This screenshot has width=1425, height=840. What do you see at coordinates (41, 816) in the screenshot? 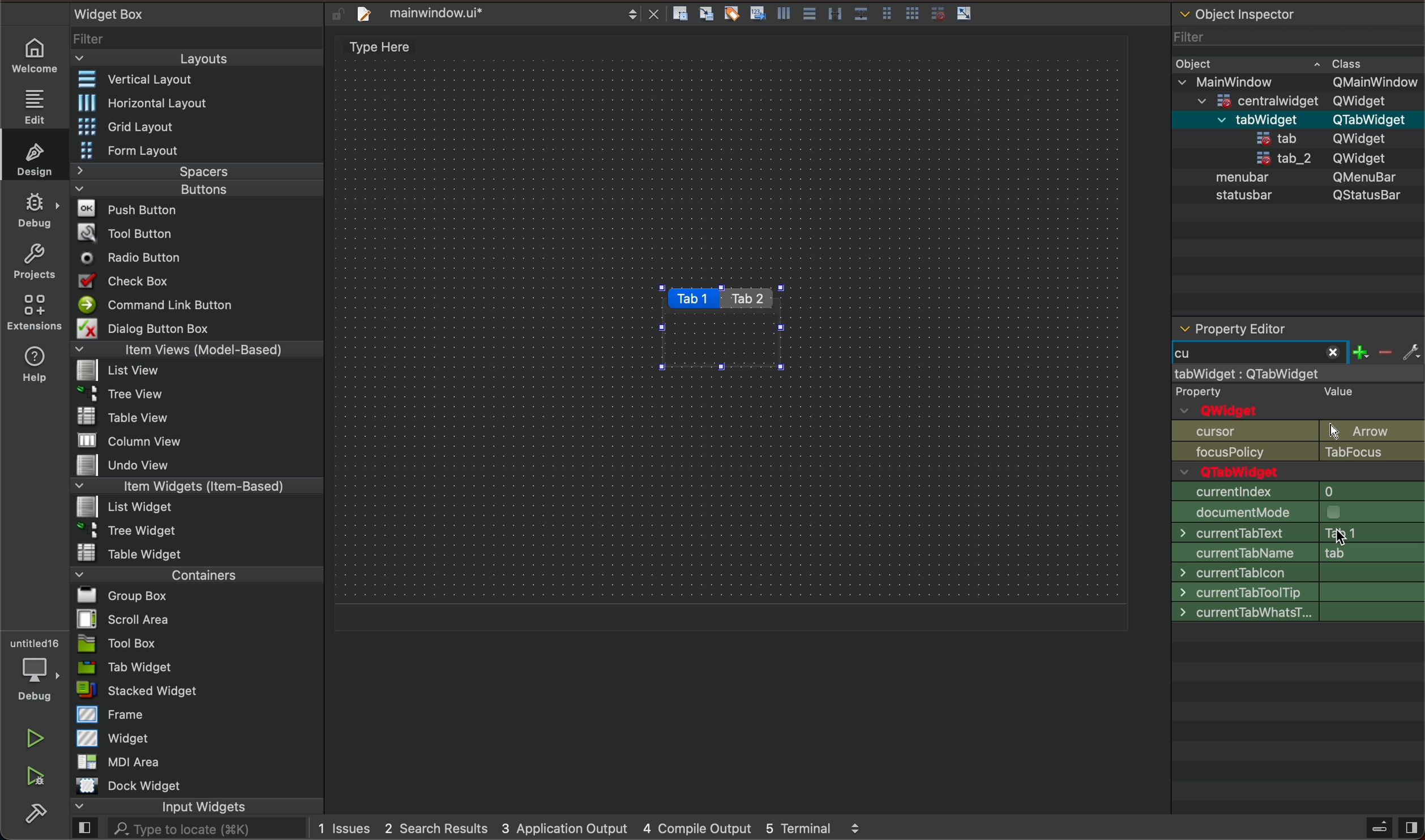
I see `build` at bounding box center [41, 816].